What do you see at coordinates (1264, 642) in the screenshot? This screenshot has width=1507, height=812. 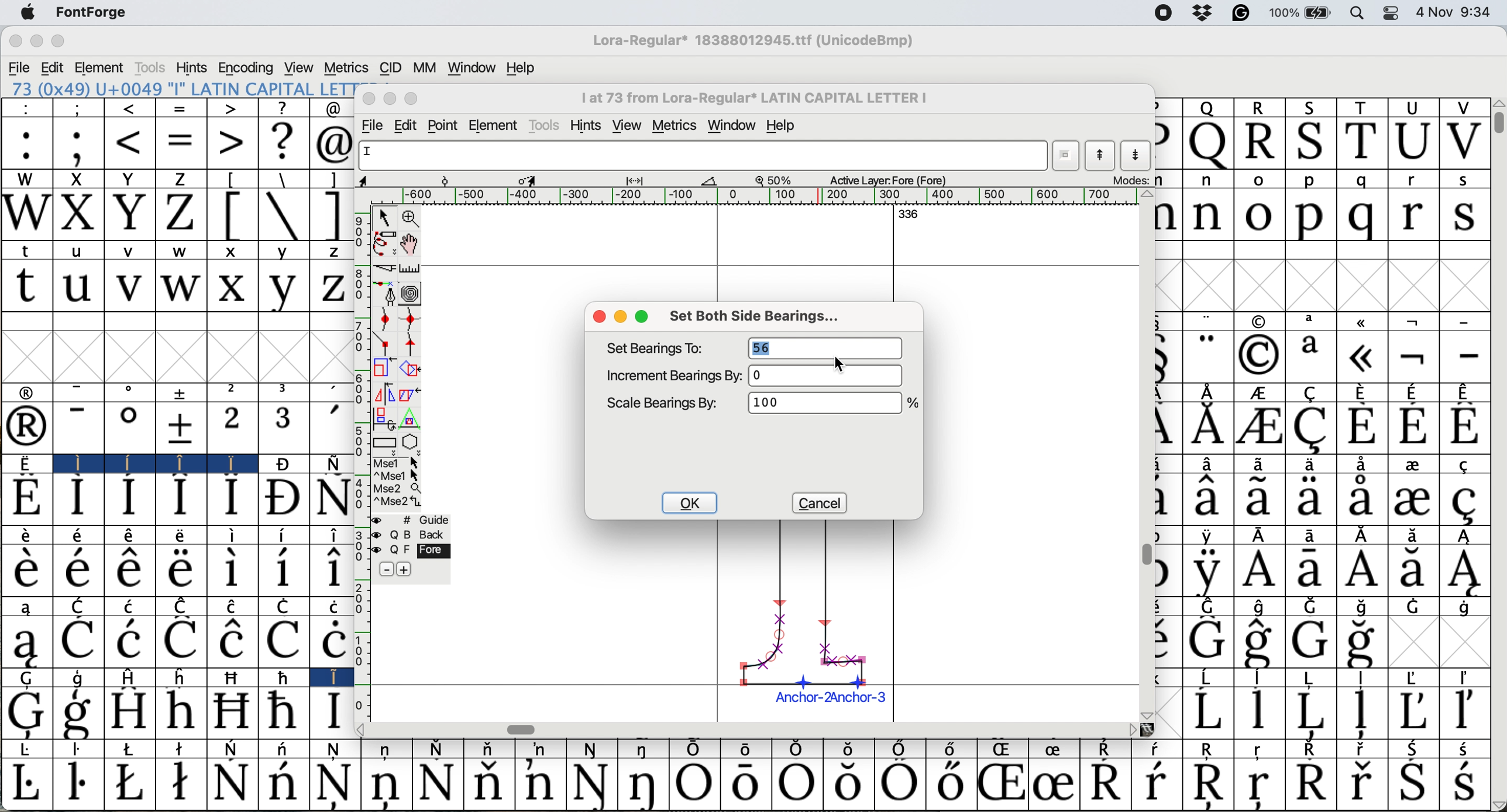 I see `Symbol` at bounding box center [1264, 642].